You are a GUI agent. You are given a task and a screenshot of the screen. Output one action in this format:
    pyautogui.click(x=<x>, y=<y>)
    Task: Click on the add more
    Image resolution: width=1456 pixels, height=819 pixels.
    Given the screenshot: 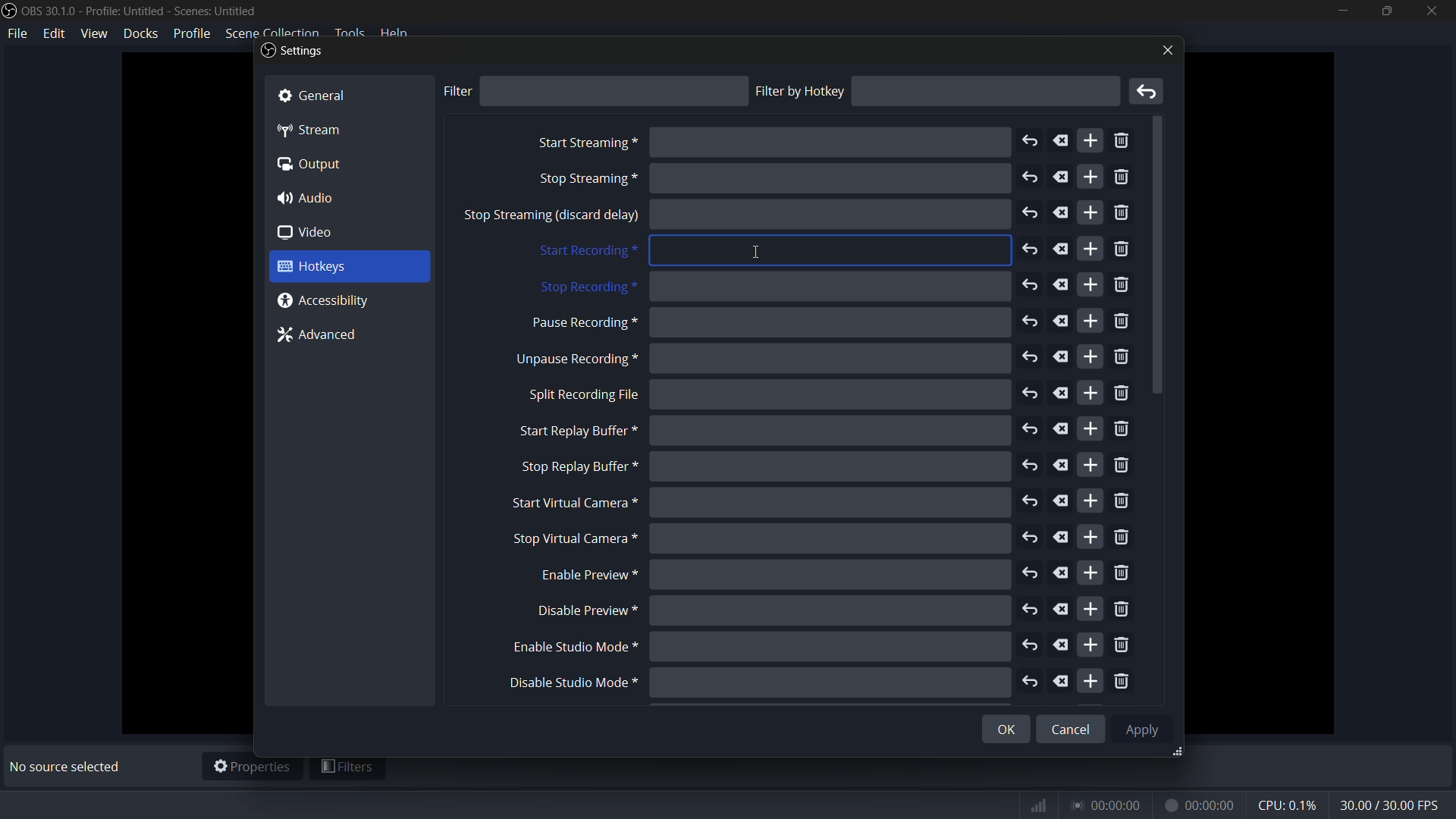 What is the action you would take?
    pyautogui.click(x=1090, y=177)
    